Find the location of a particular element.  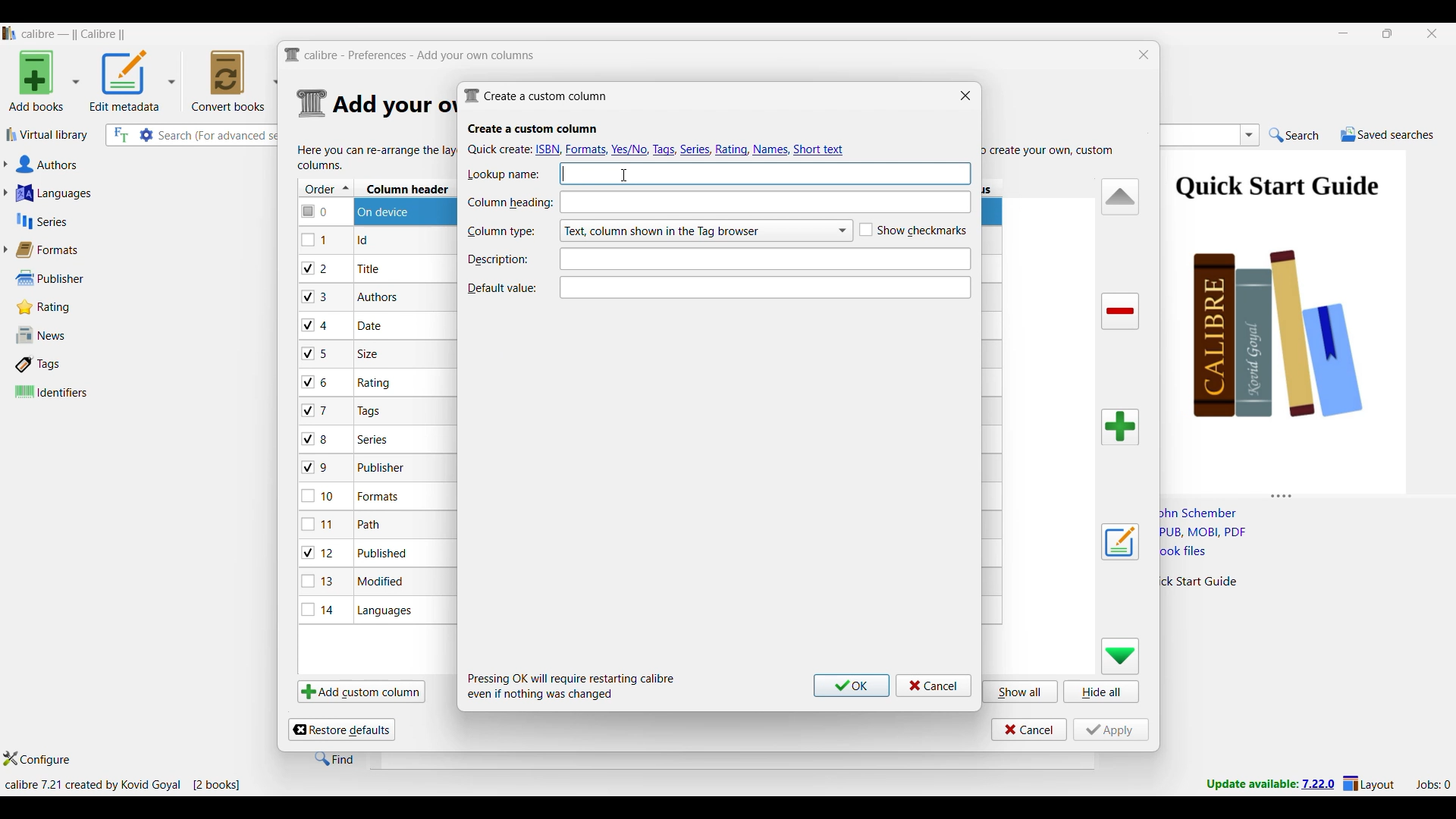

Cancel is located at coordinates (1029, 730).